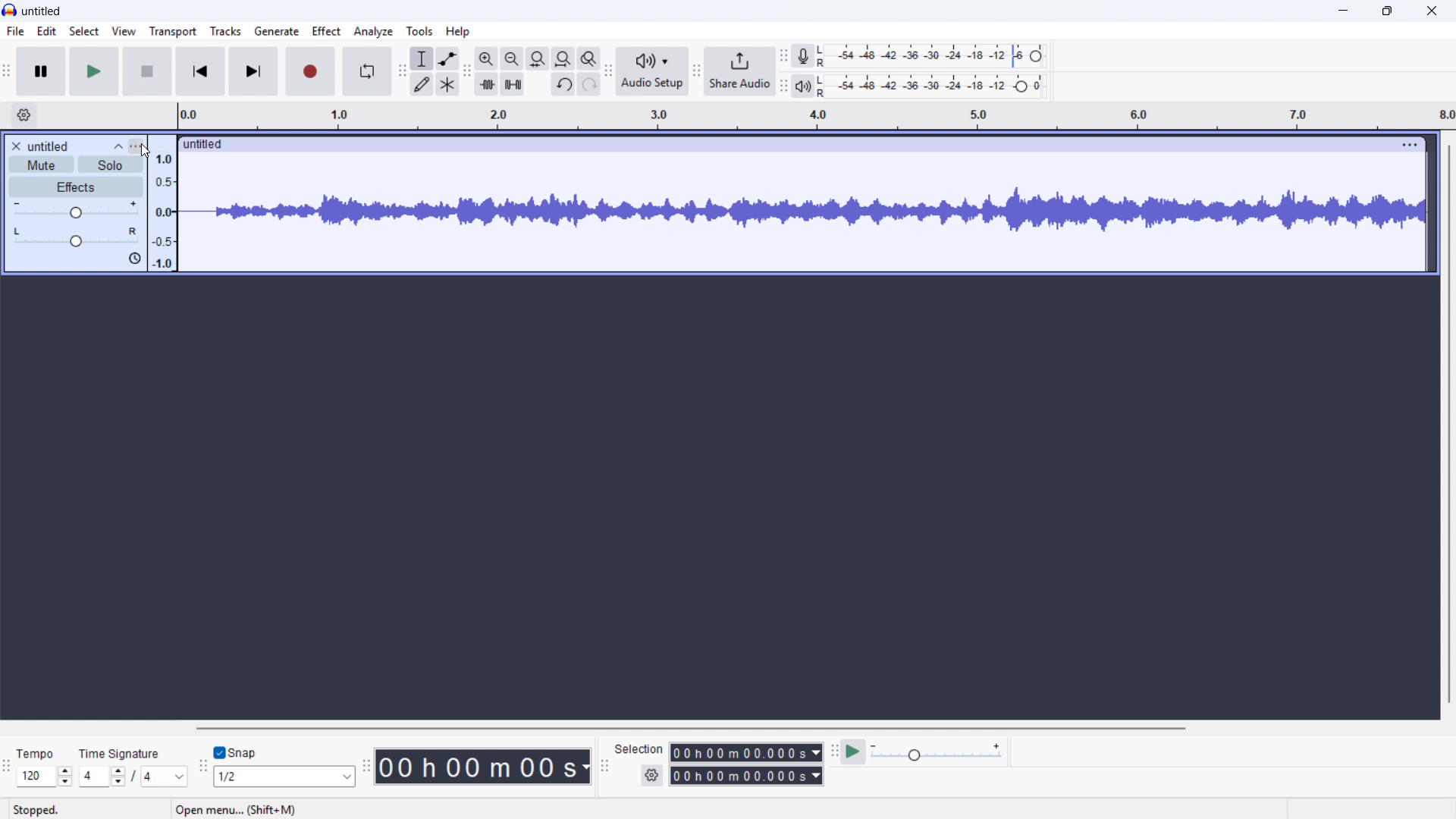 Image resolution: width=1456 pixels, height=819 pixels. What do you see at coordinates (85, 32) in the screenshot?
I see `select ` at bounding box center [85, 32].